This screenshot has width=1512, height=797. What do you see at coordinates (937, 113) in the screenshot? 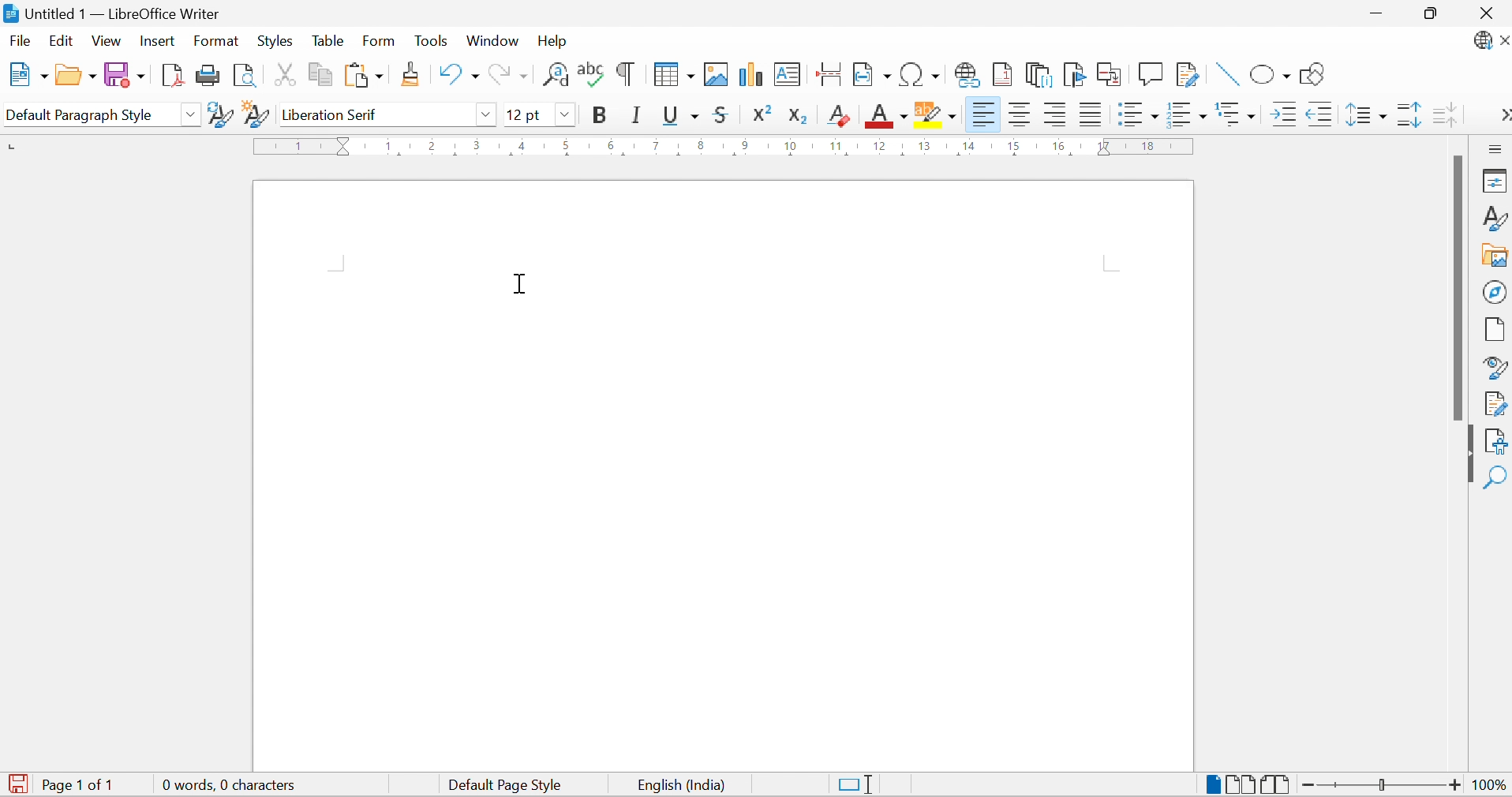
I see `Character Highlighting Color` at bounding box center [937, 113].